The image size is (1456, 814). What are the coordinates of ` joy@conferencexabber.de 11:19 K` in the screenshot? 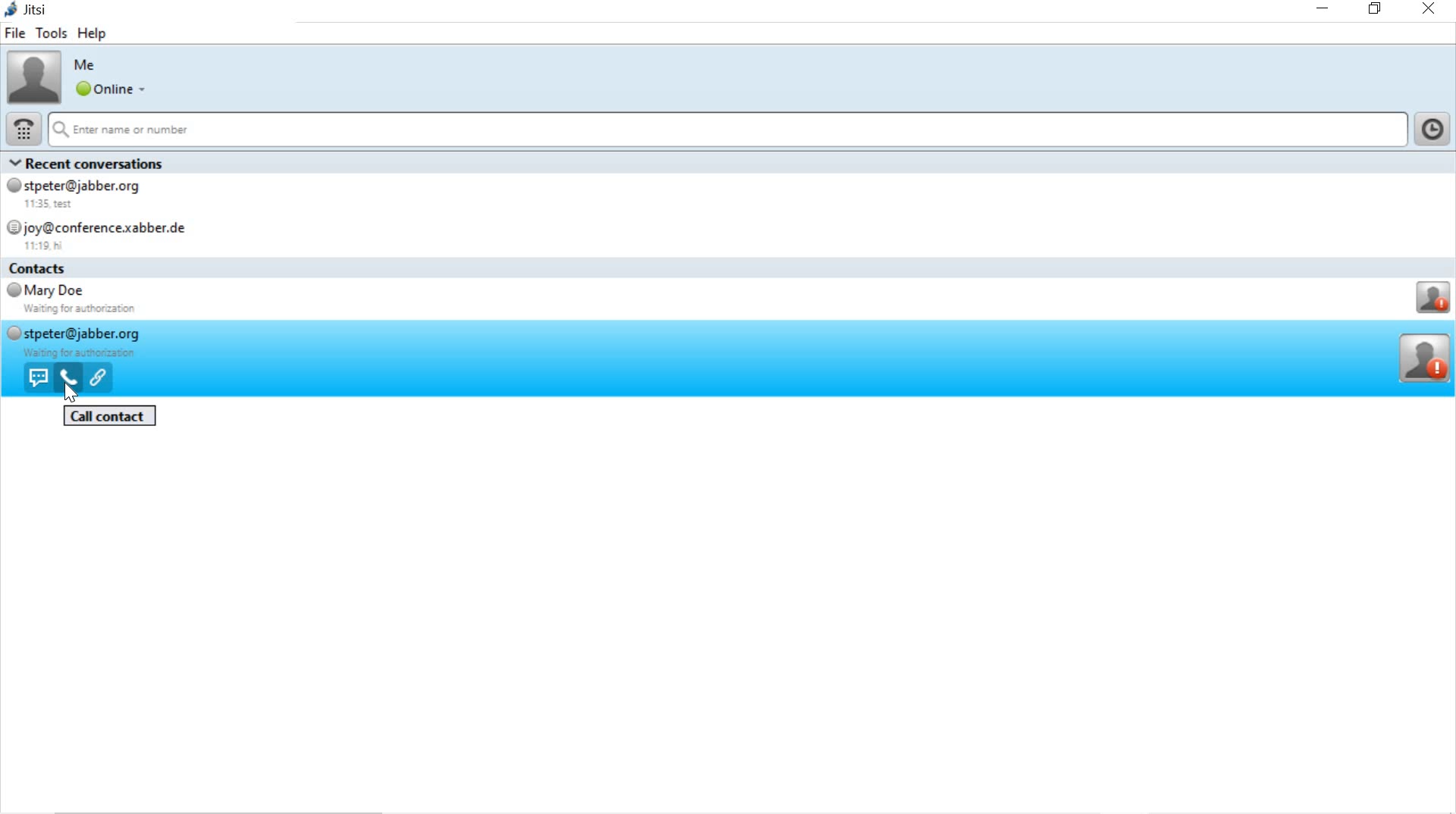 It's located at (110, 233).